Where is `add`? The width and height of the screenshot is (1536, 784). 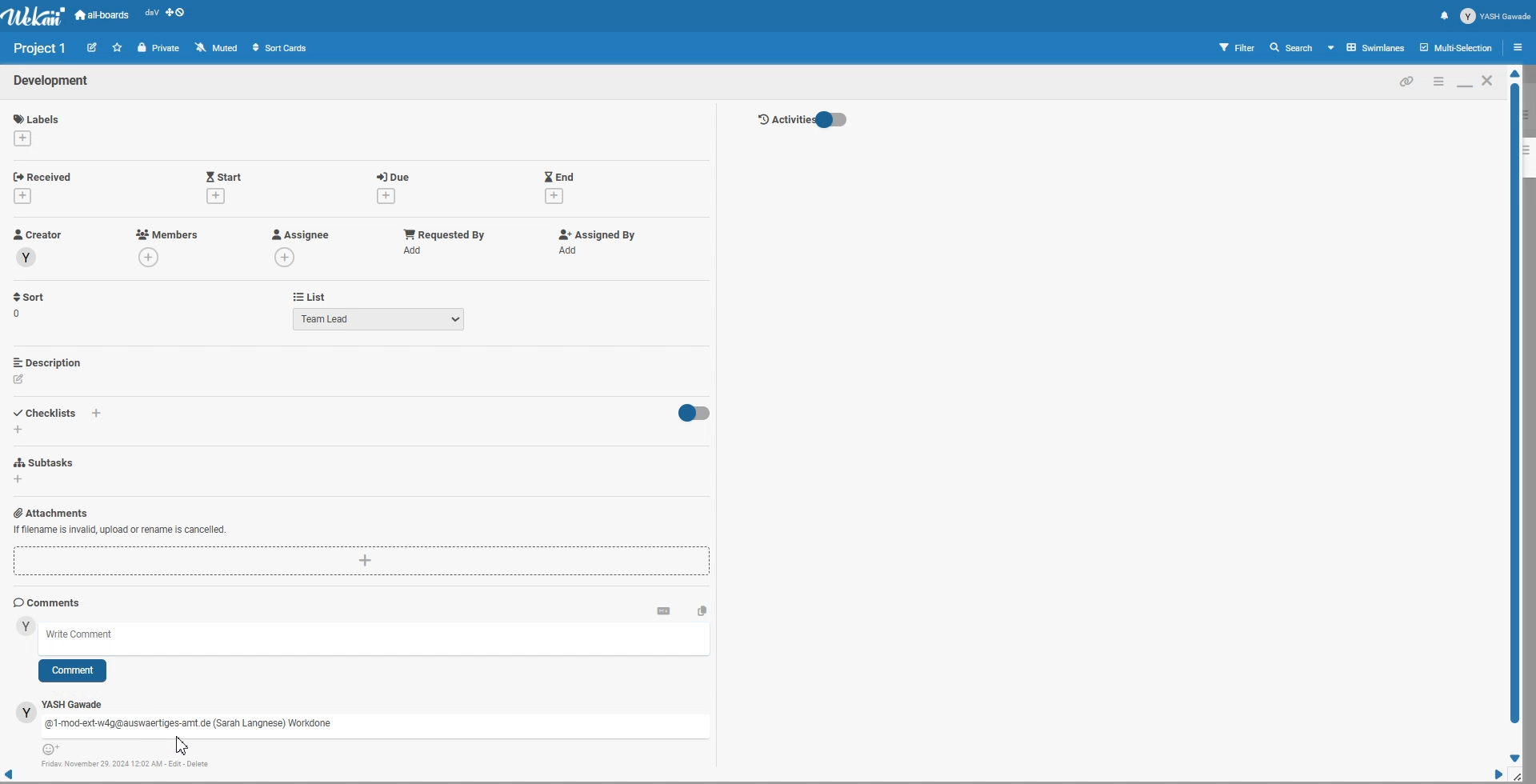
add is located at coordinates (22, 138).